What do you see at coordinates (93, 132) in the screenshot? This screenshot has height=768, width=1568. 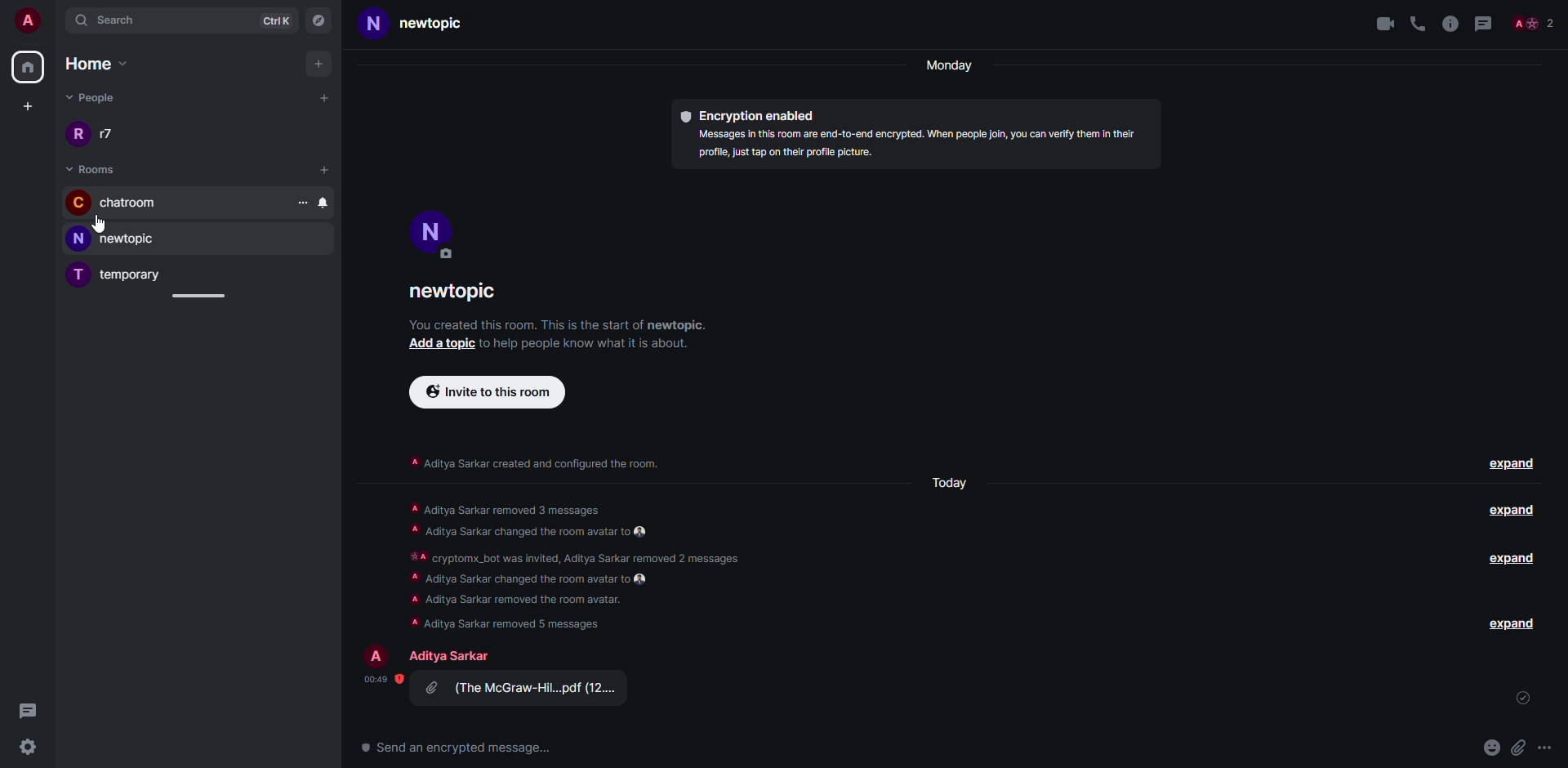 I see `r17` at bounding box center [93, 132].